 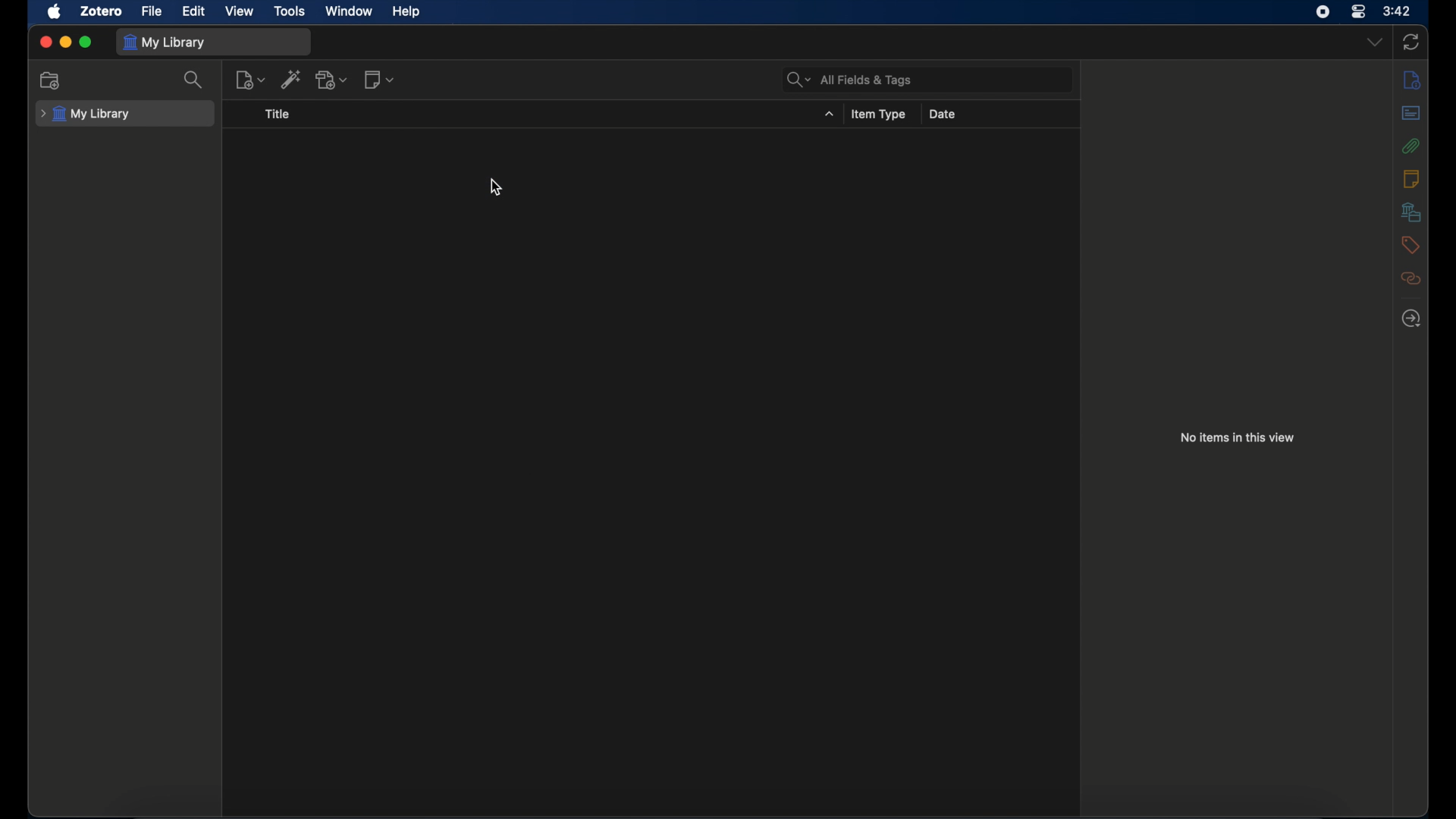 I want to click on attachments, so click(x=1410, y=146).